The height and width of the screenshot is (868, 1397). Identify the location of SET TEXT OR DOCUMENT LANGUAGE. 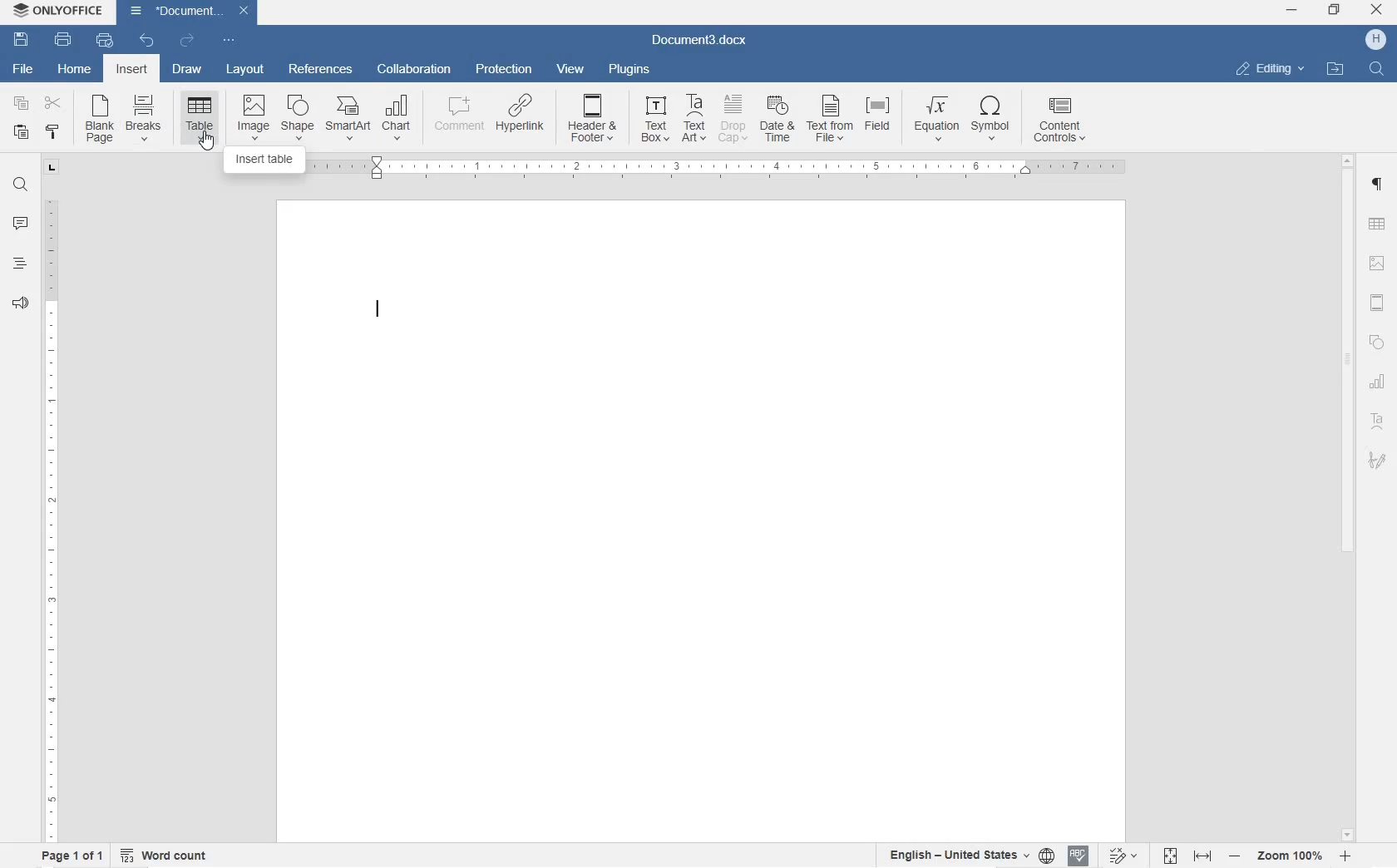
(966, 853).